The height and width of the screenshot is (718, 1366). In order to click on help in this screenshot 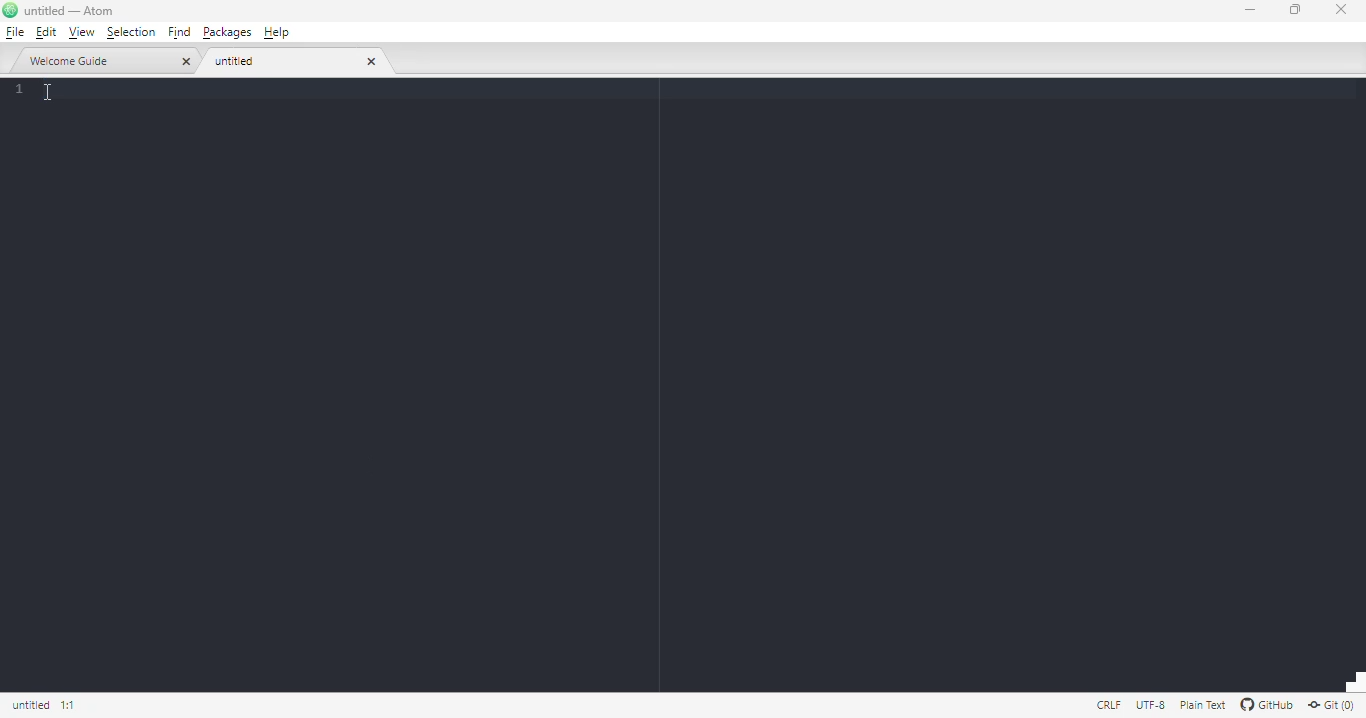, I will do `click(277, 32)`.